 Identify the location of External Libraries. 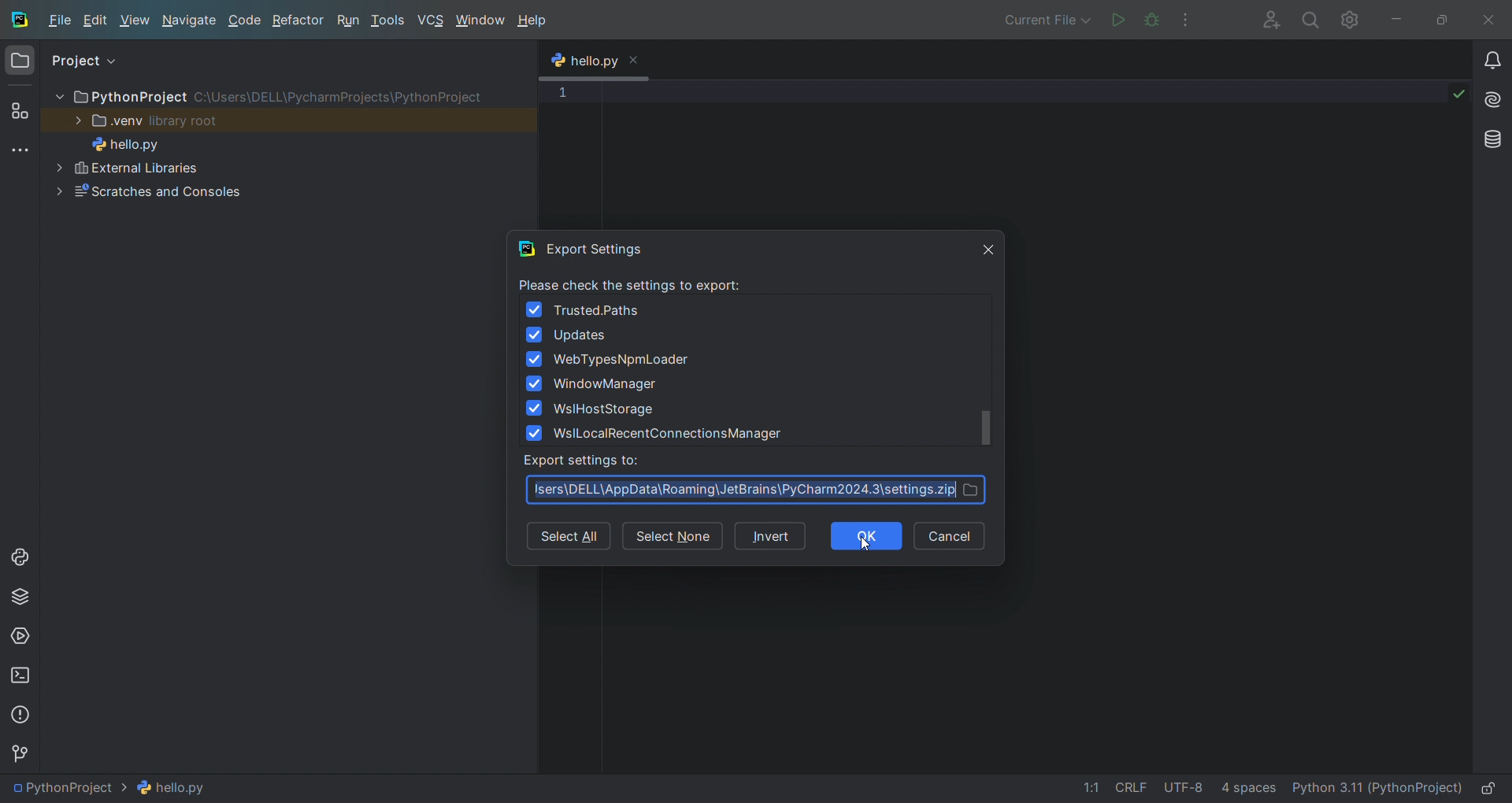
(200, 166).